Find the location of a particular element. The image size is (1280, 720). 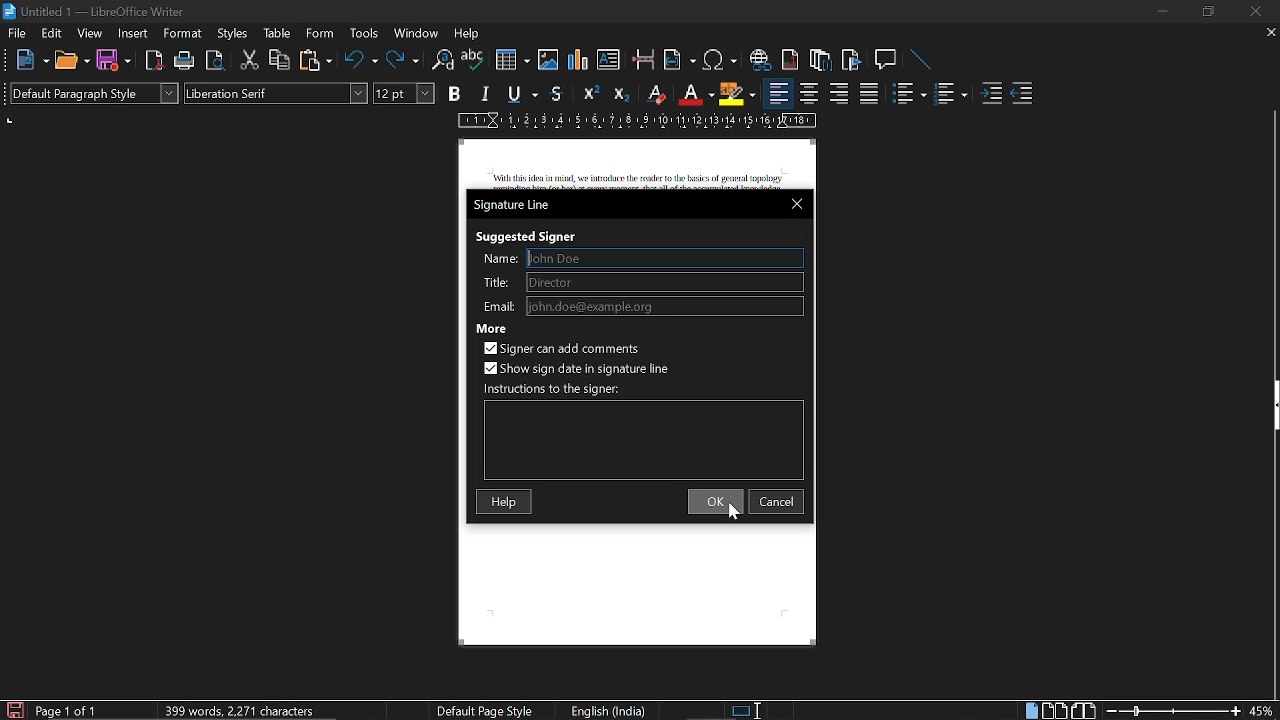

align left is located at coordinates (779, 92).